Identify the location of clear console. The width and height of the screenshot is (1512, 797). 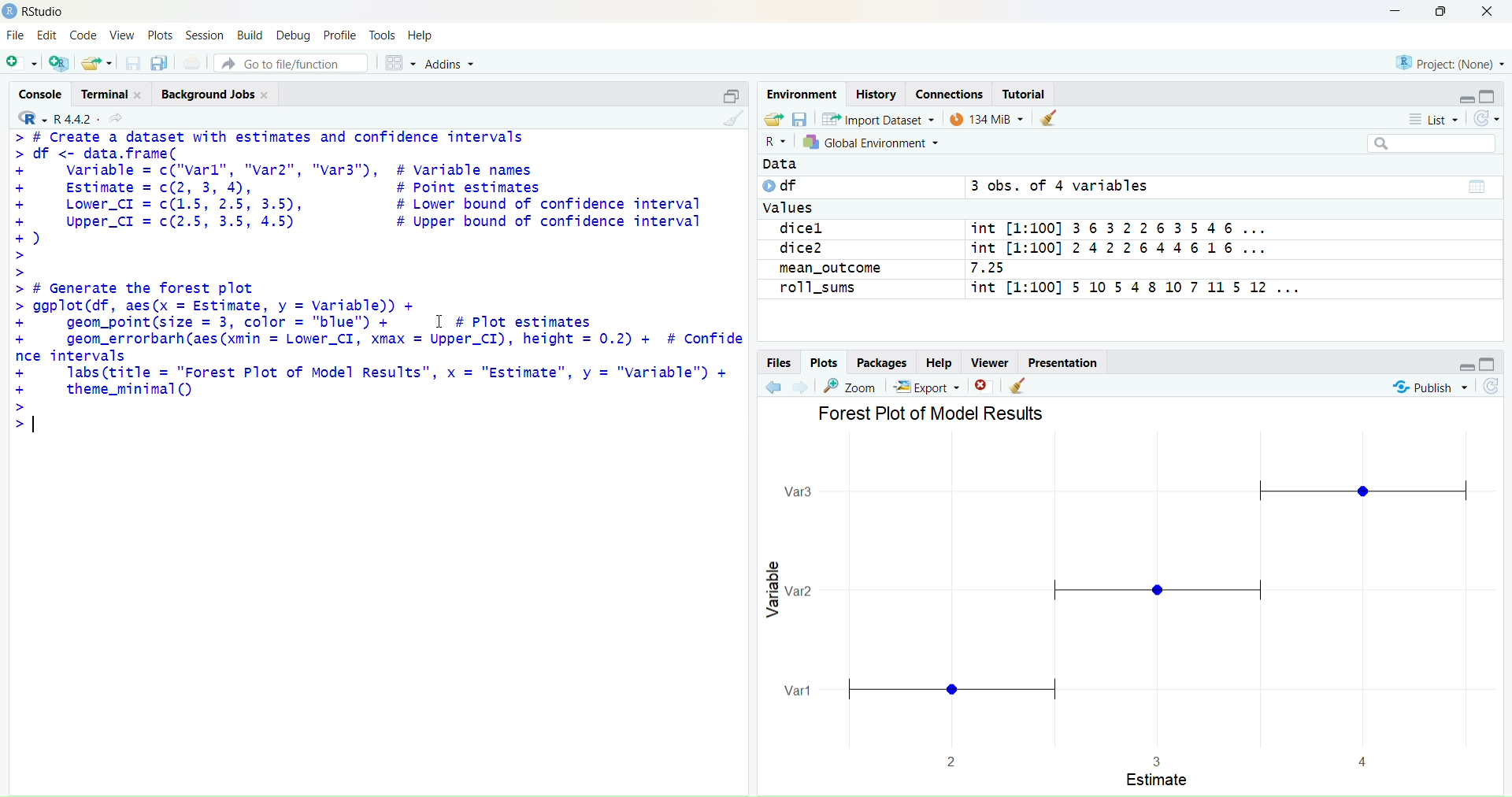
(733, 118).